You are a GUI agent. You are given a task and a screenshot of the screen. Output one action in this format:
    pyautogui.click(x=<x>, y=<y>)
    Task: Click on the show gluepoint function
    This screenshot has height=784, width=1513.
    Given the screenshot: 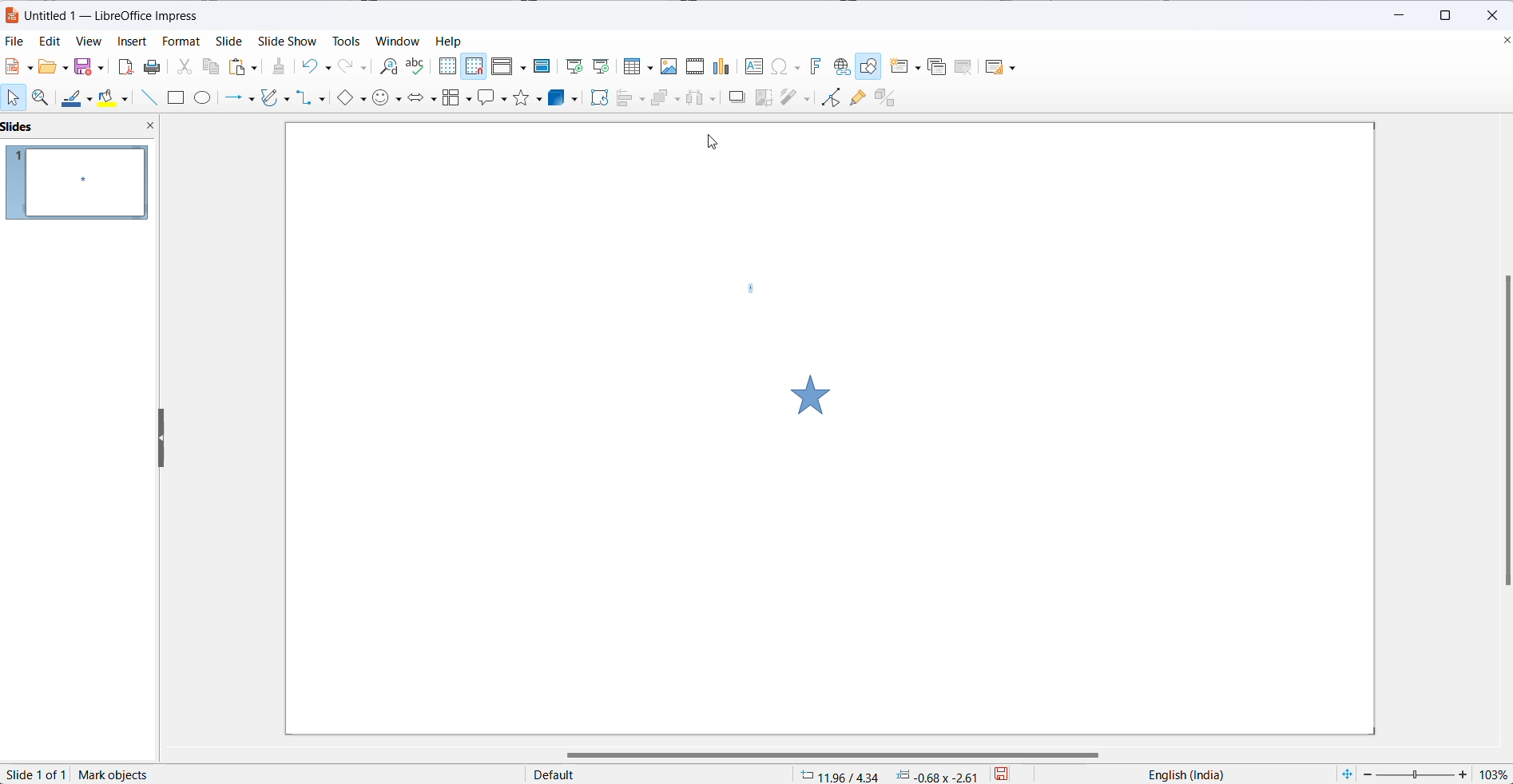 What is the action you would take?
    pyautogui.click(x=857, y=98)
    